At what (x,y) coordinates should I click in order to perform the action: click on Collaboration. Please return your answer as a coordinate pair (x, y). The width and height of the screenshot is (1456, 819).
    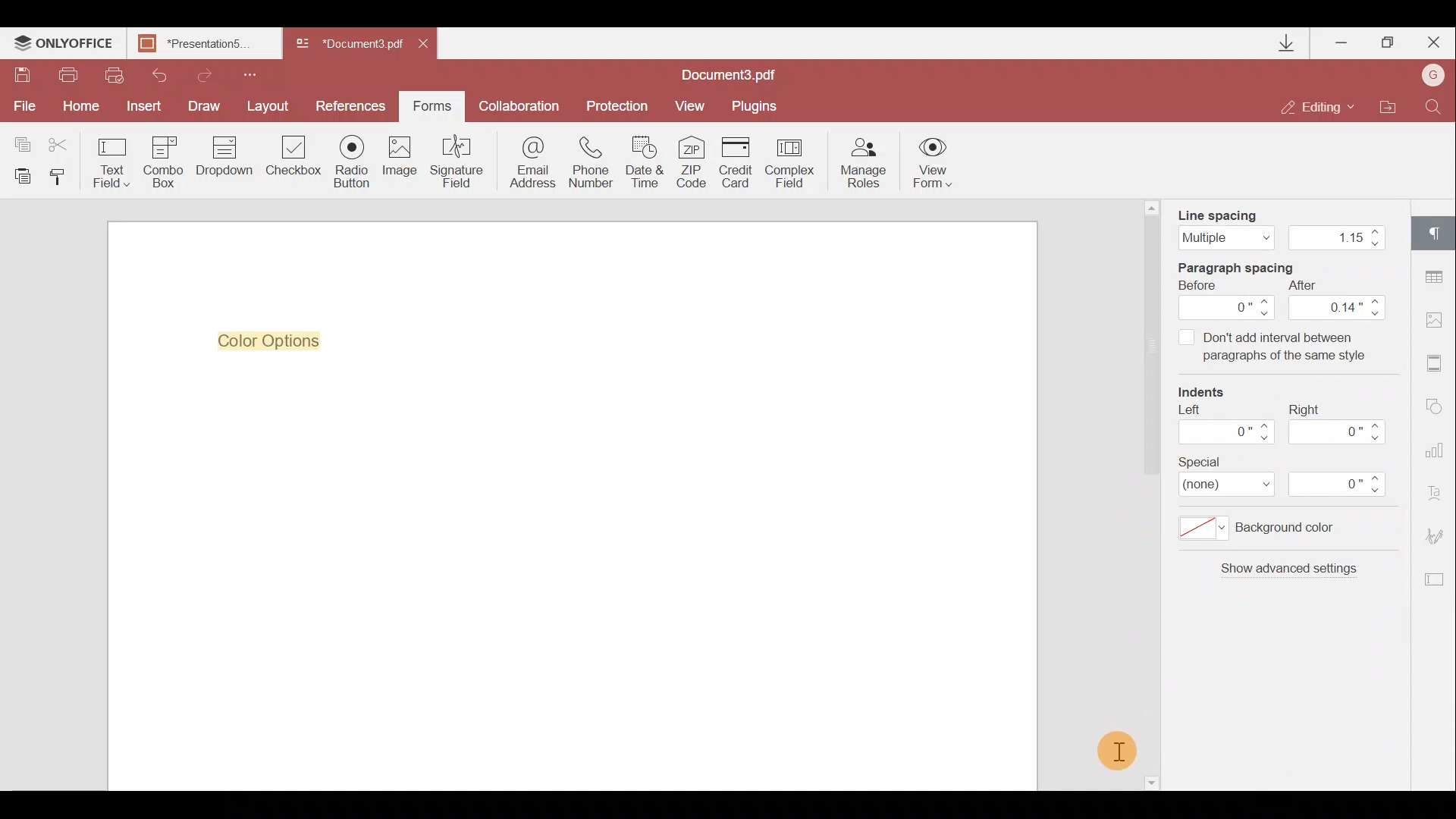
    Looking at the image, I should click on (519, 104).